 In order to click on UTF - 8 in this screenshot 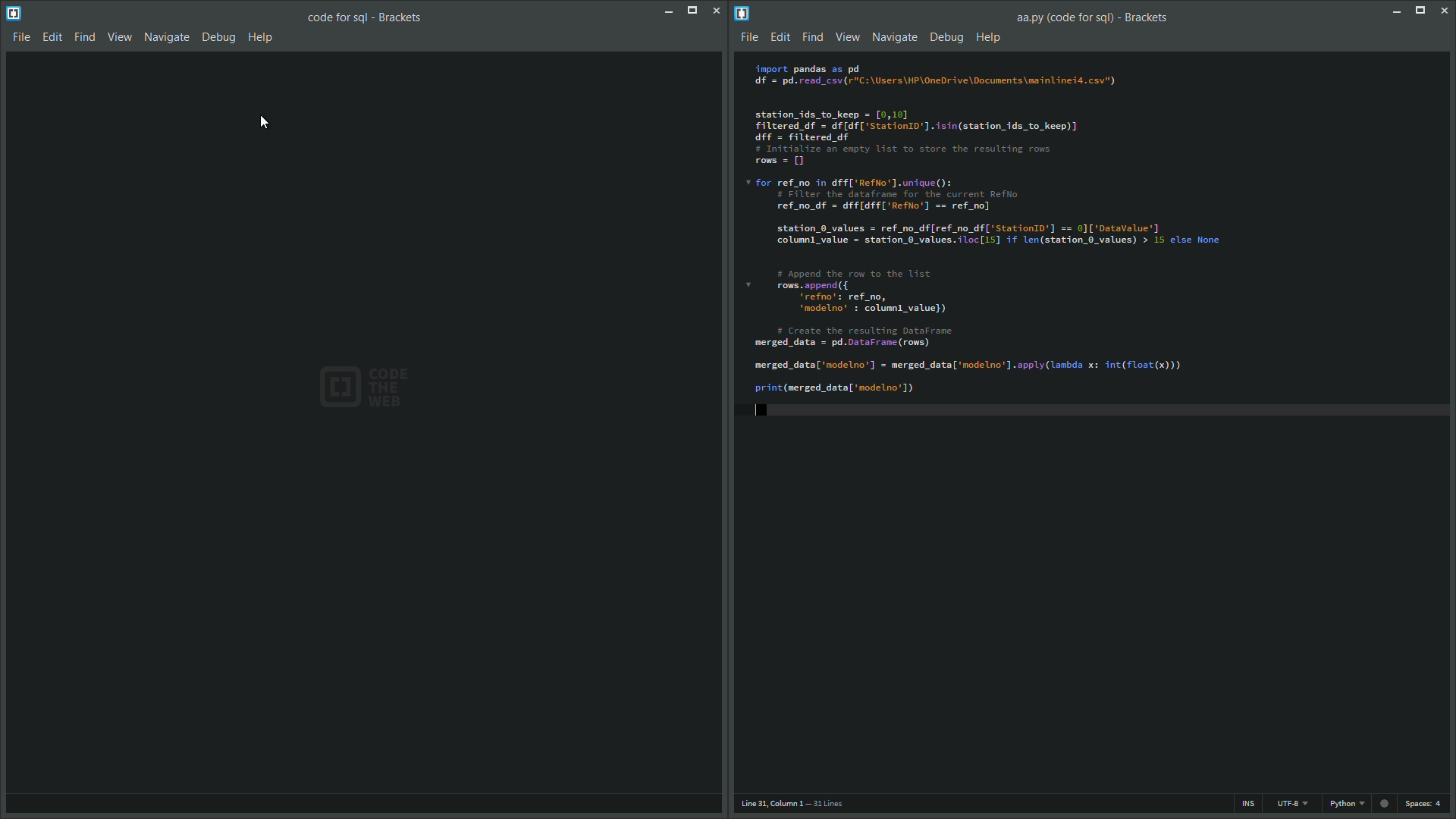, I will do `click(1290, 805)`.